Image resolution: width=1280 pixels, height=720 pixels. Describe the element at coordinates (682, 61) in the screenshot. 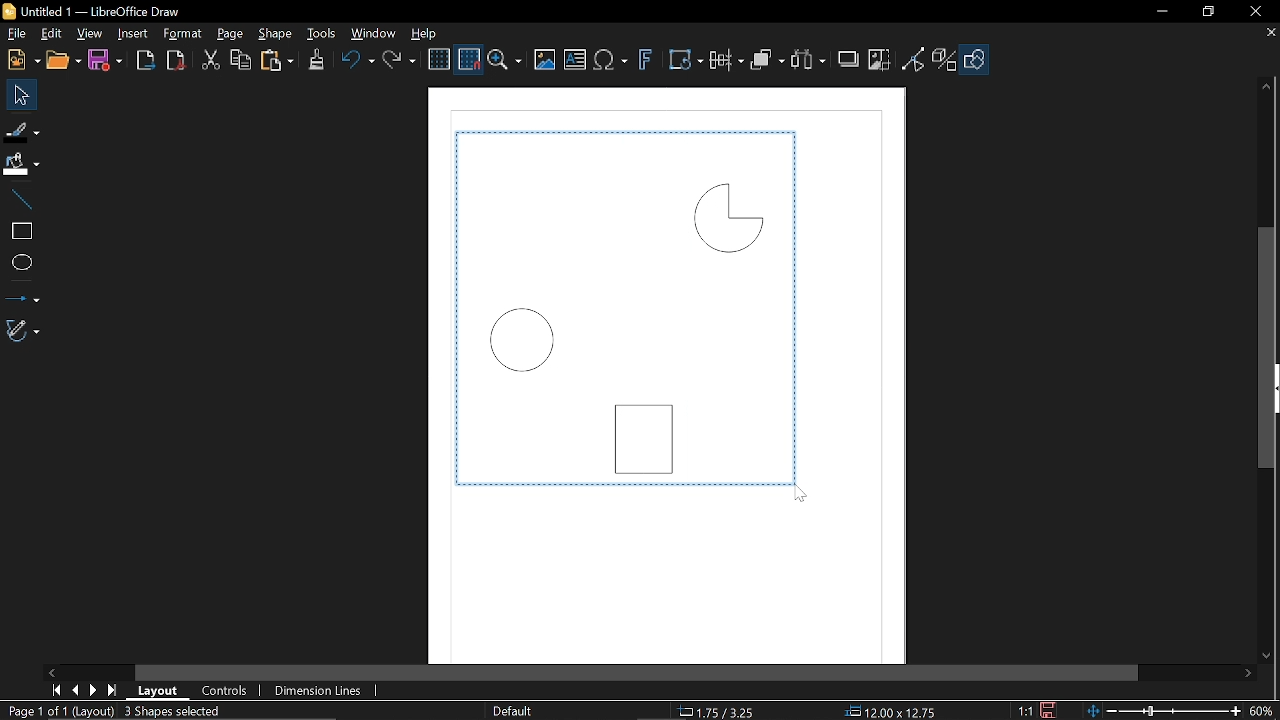

I see `Transform` at that location.